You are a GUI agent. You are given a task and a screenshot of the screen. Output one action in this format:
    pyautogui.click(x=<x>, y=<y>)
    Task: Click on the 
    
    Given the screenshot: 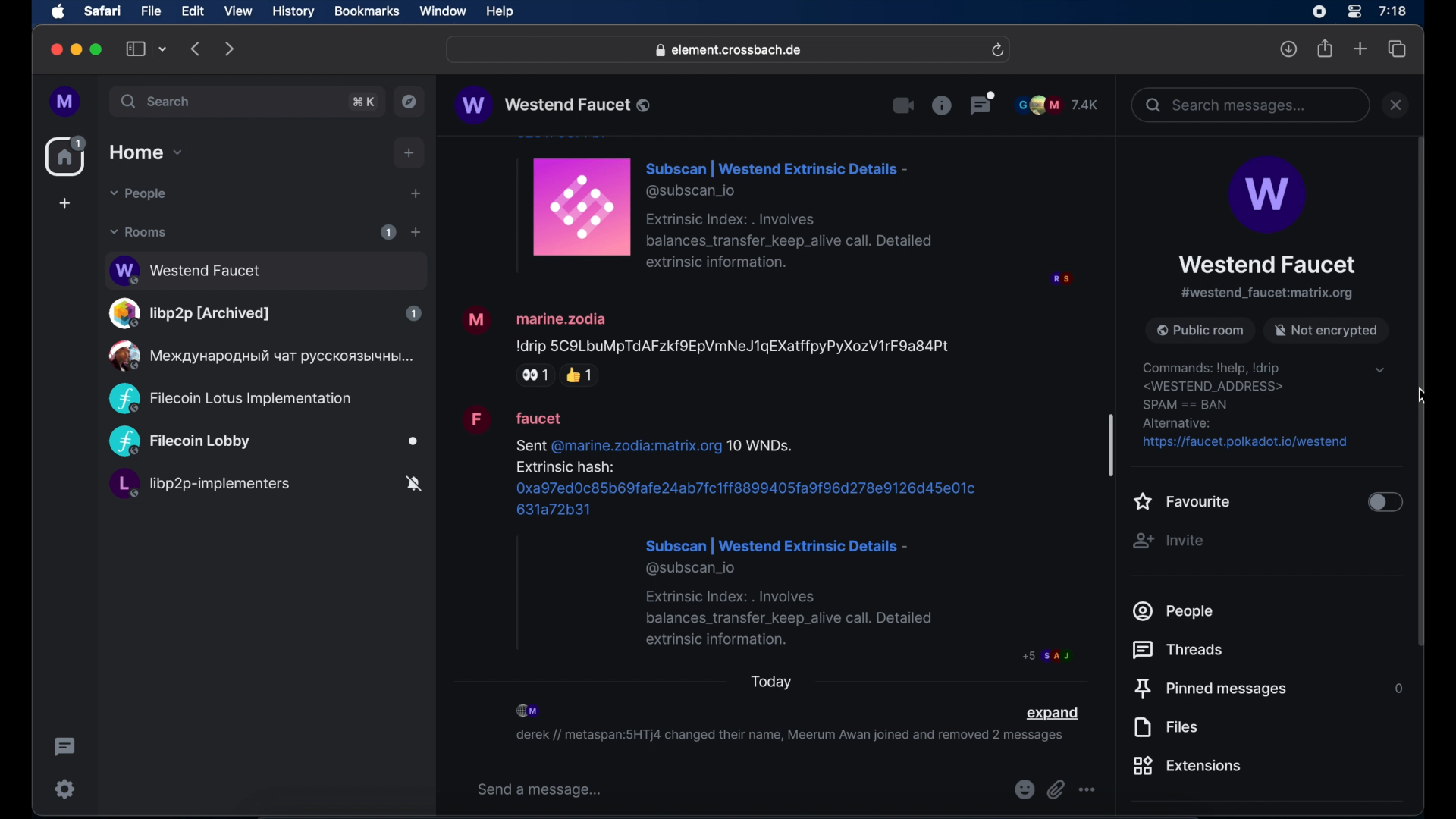 What is the action you would take?
    pyautogui.click(x=140, y=194)
    